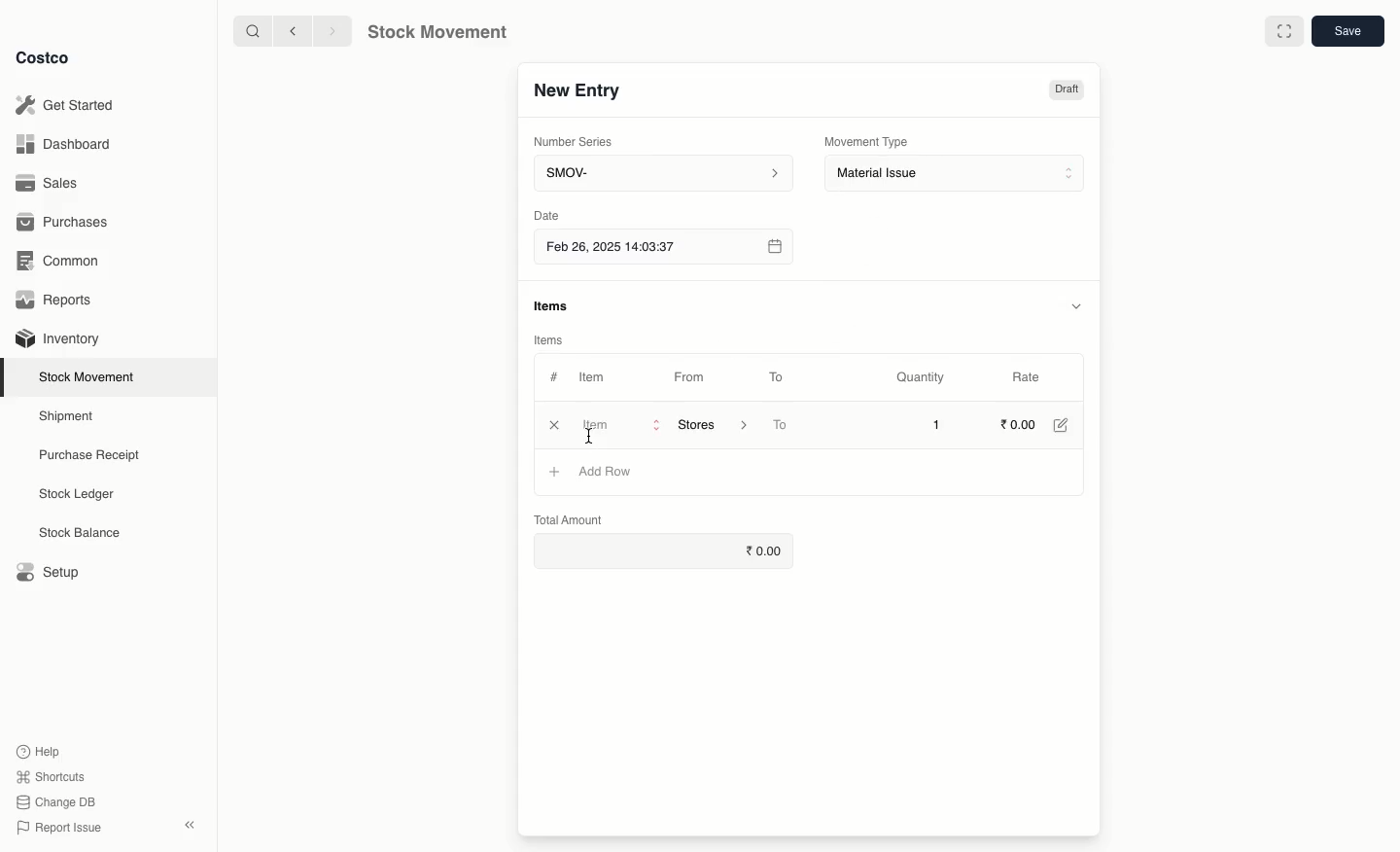 The height and width of the screenshot is (852, 1400). I want to click on Common, so click(63, 263).